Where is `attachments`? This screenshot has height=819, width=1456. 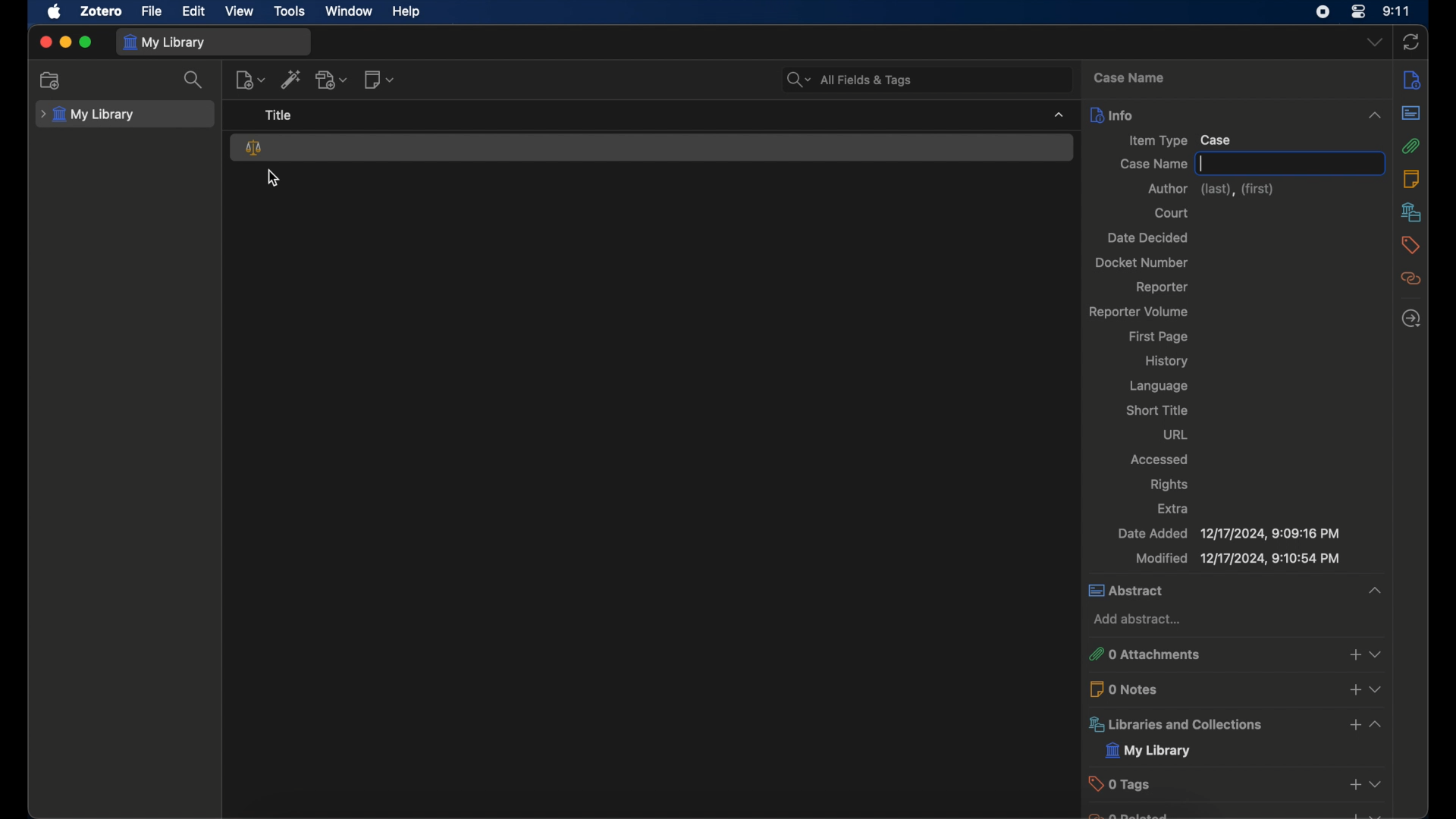
attachments is located at coordinates (1237, 654).